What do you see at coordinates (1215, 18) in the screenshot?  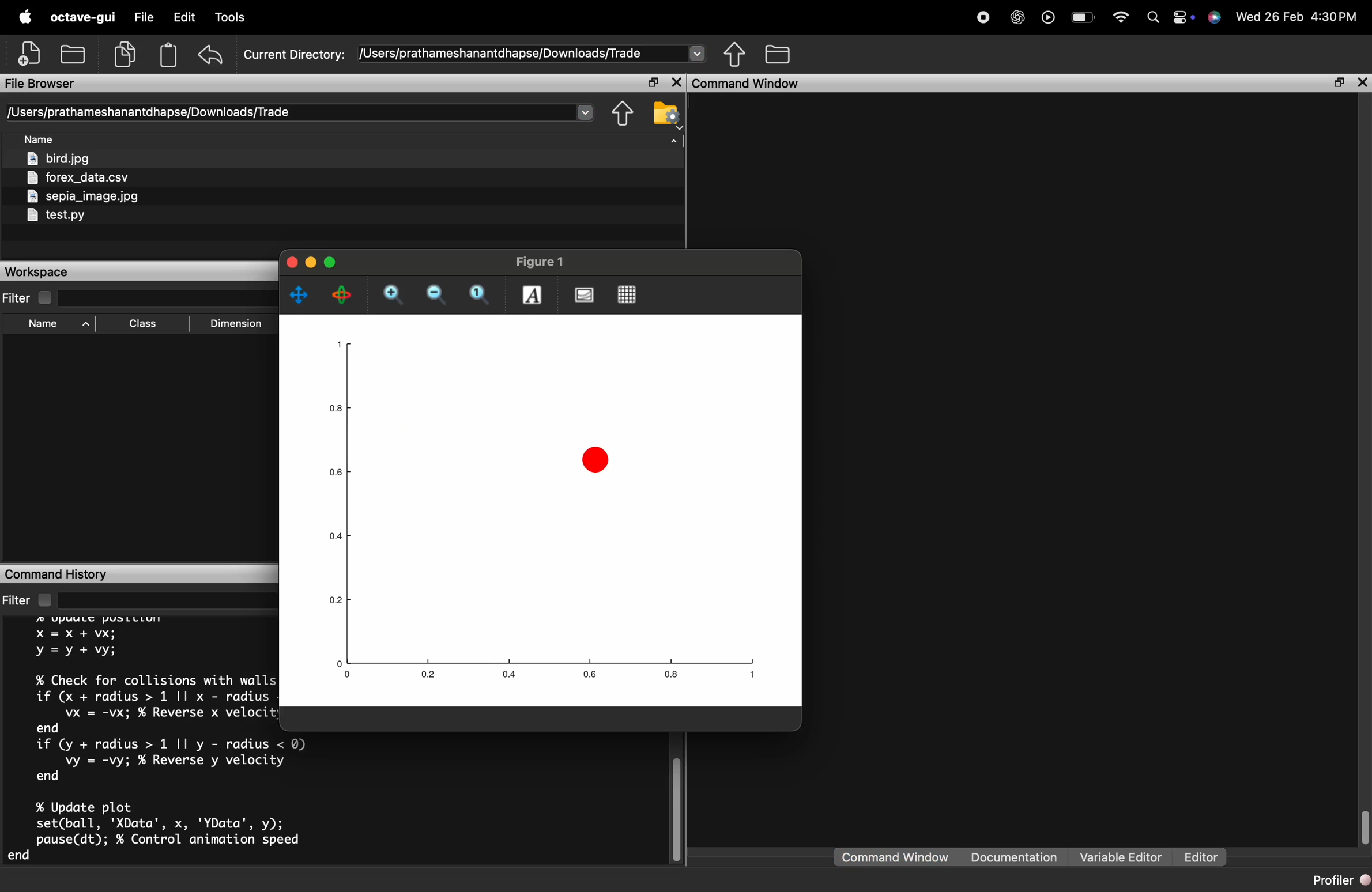 I see `support` at bounding box center [1215, 18].